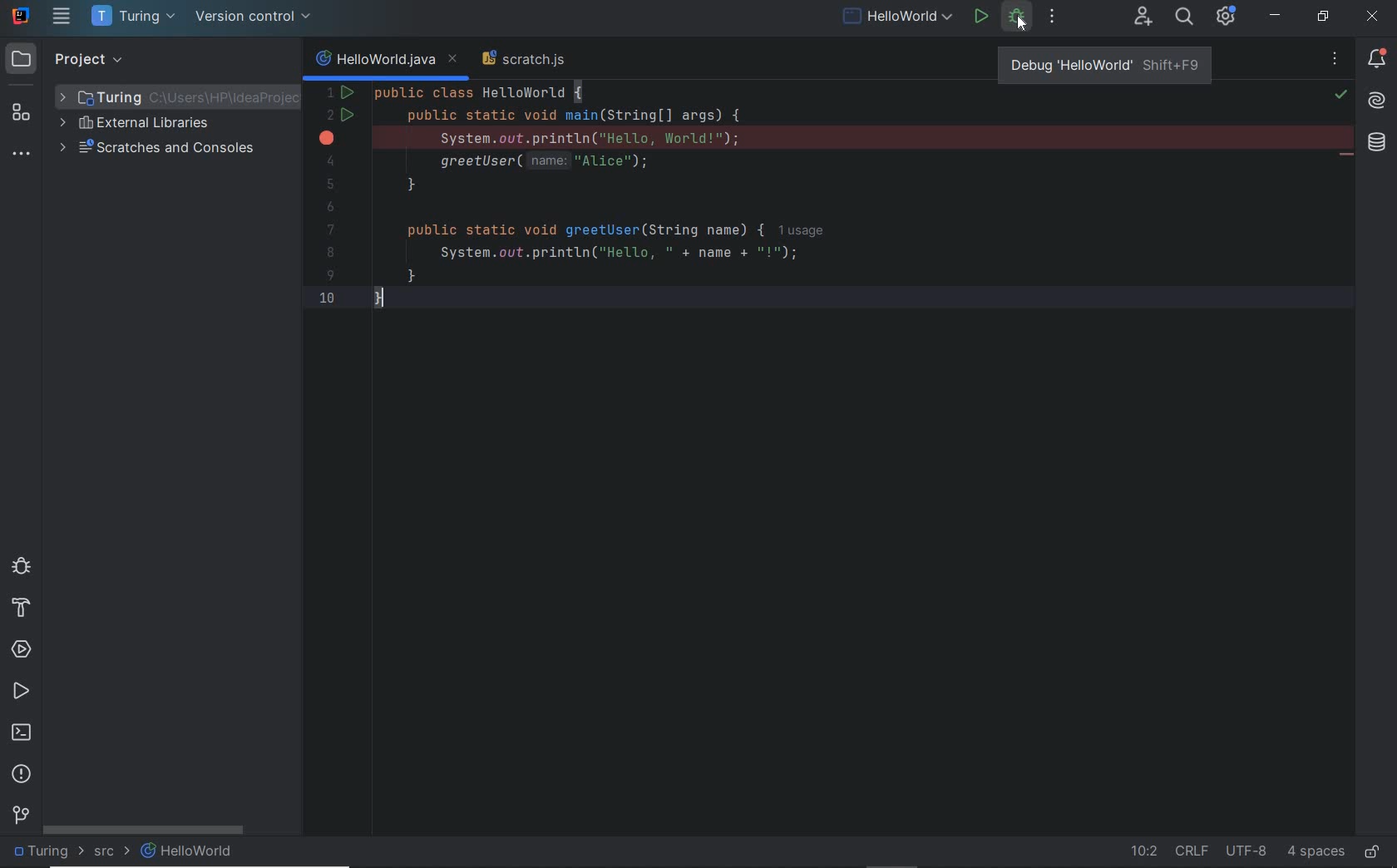 The image size is (1397, 868). Describe the element at coordinates (63, 18) in the screenshot. I see `main menu` at that location.